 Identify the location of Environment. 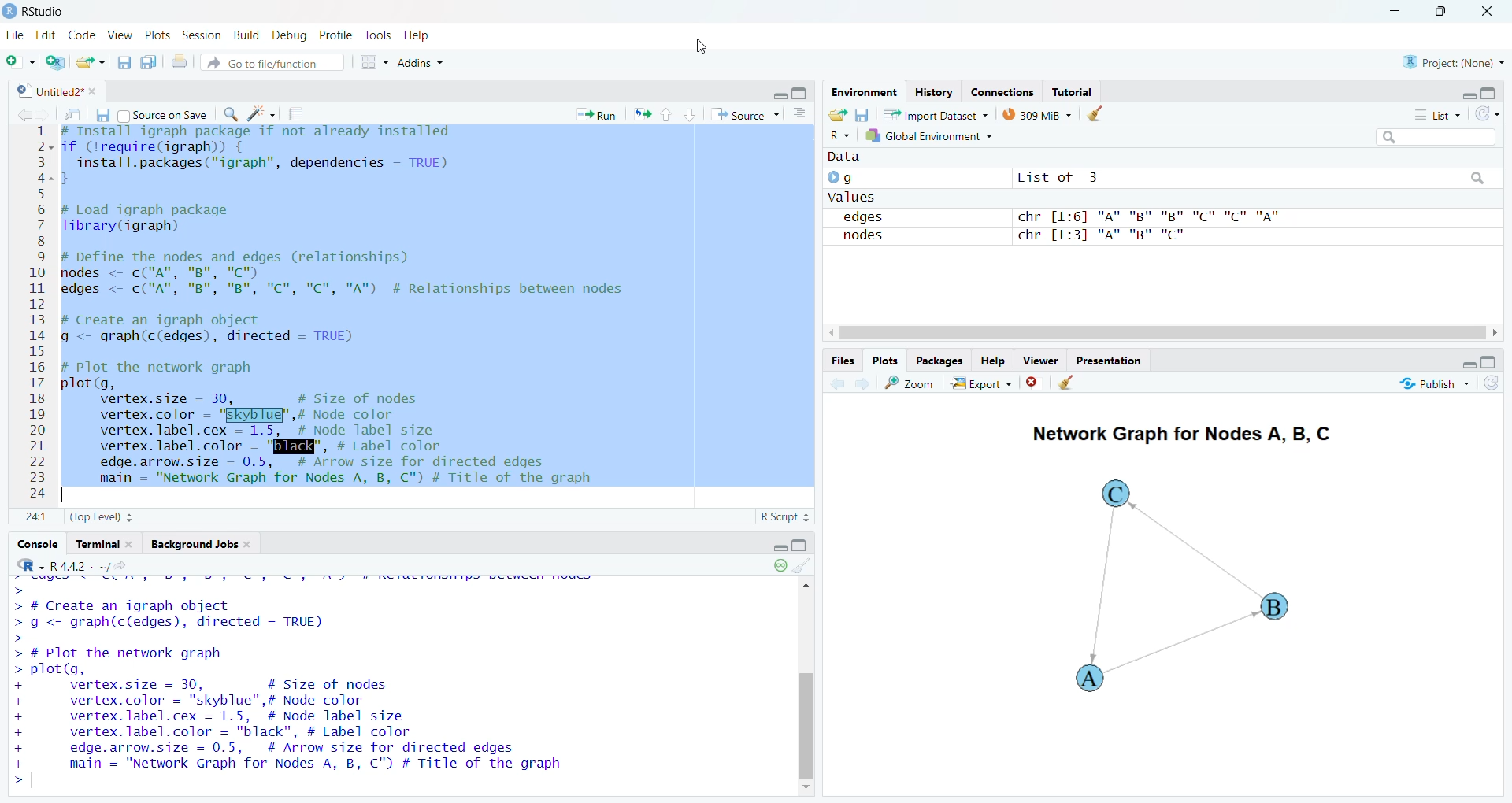
(866, 92).